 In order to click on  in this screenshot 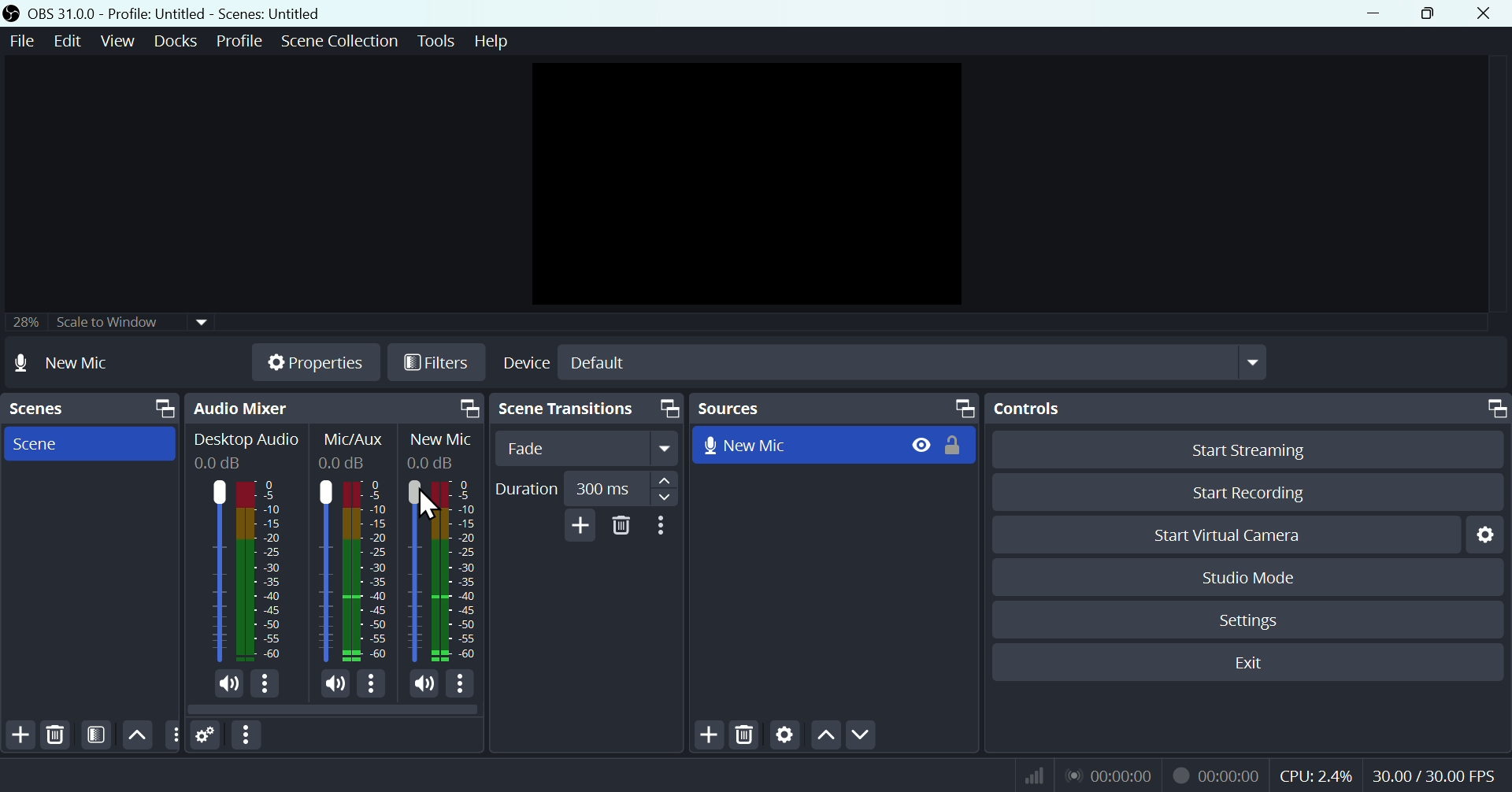, I will do `click(1260, 449)`.